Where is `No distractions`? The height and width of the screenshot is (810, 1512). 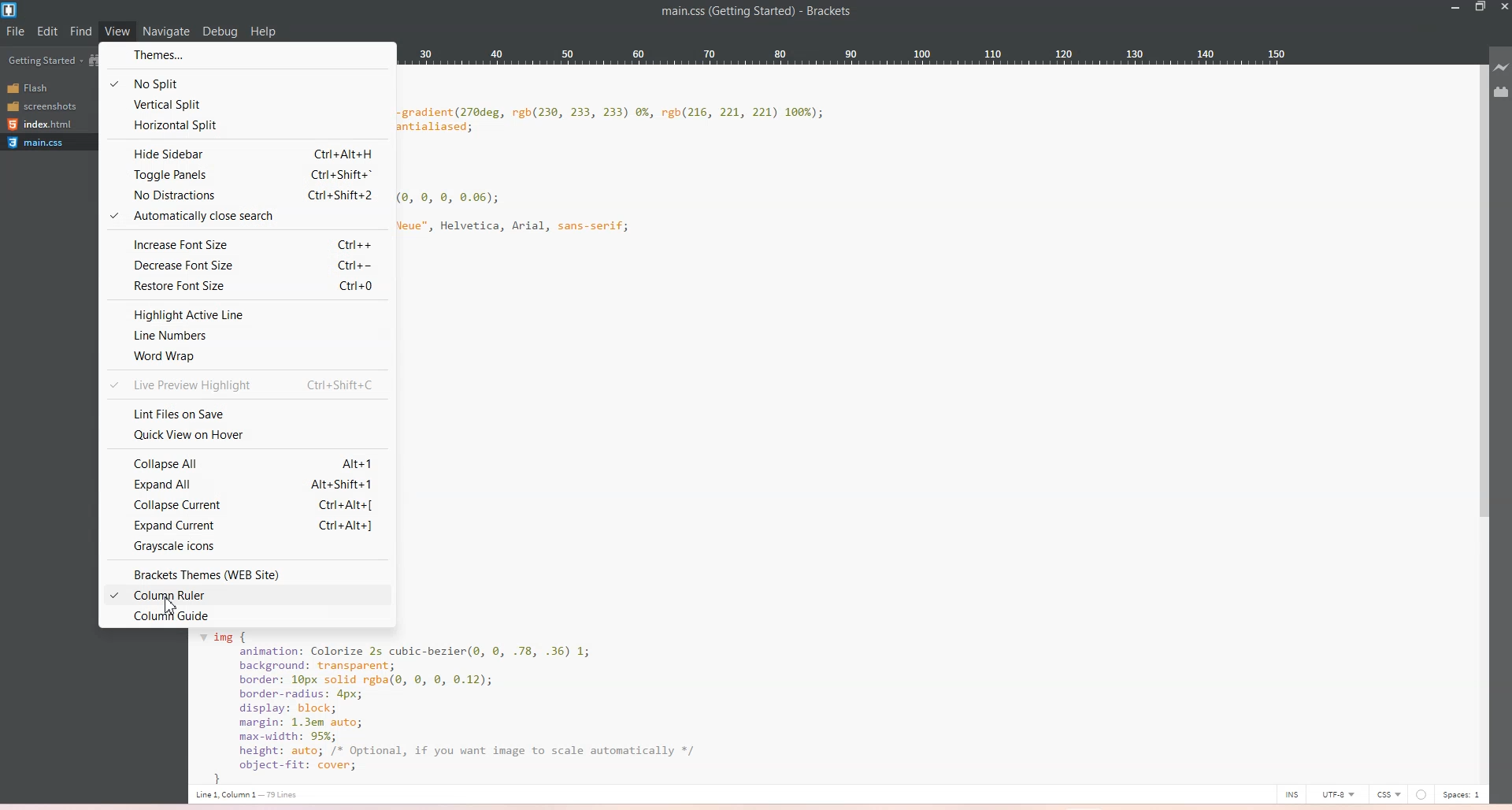
No distractions is located at coordinates (248, 194).